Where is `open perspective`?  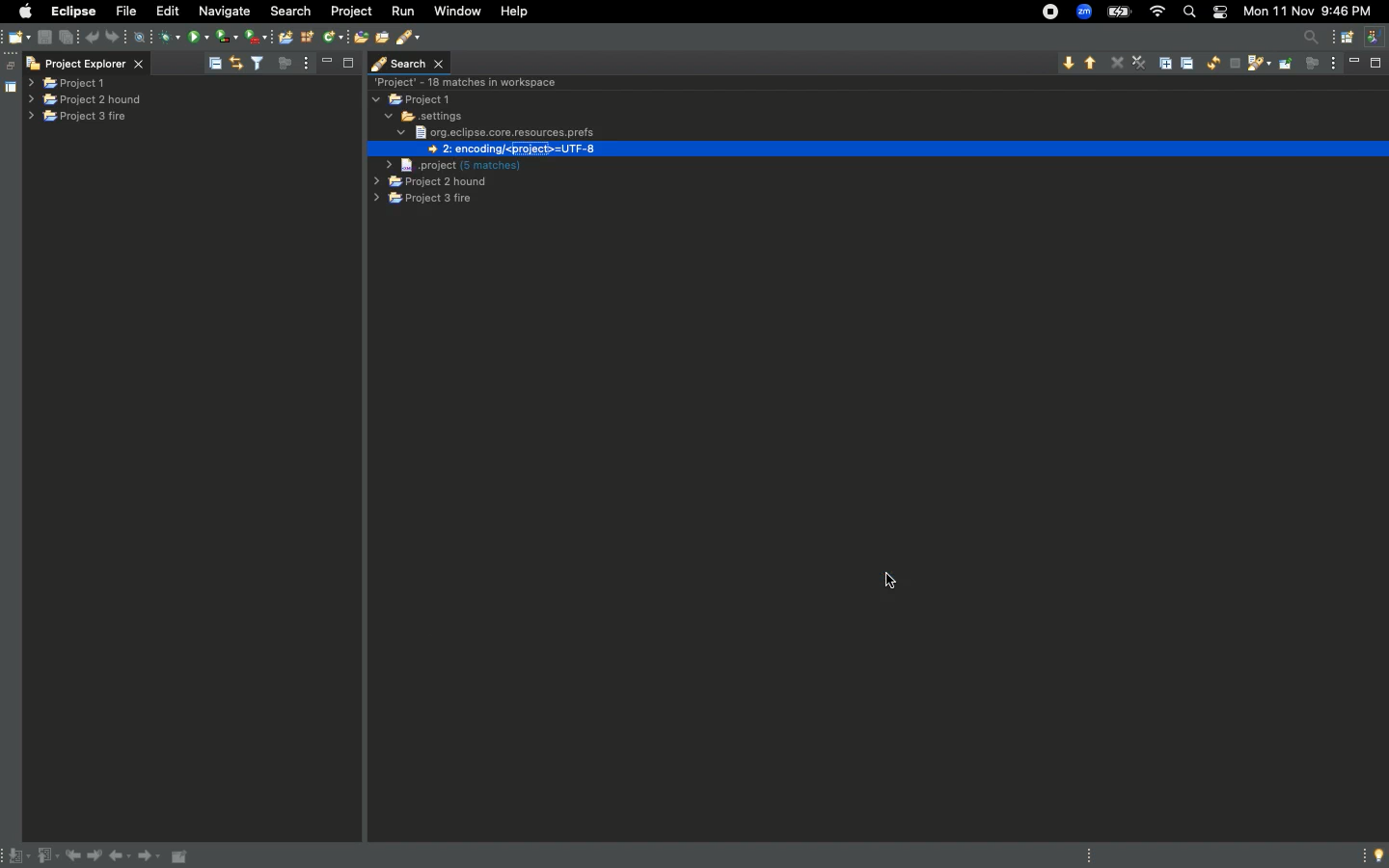 open perspective is located at coordinates (1345, 39).